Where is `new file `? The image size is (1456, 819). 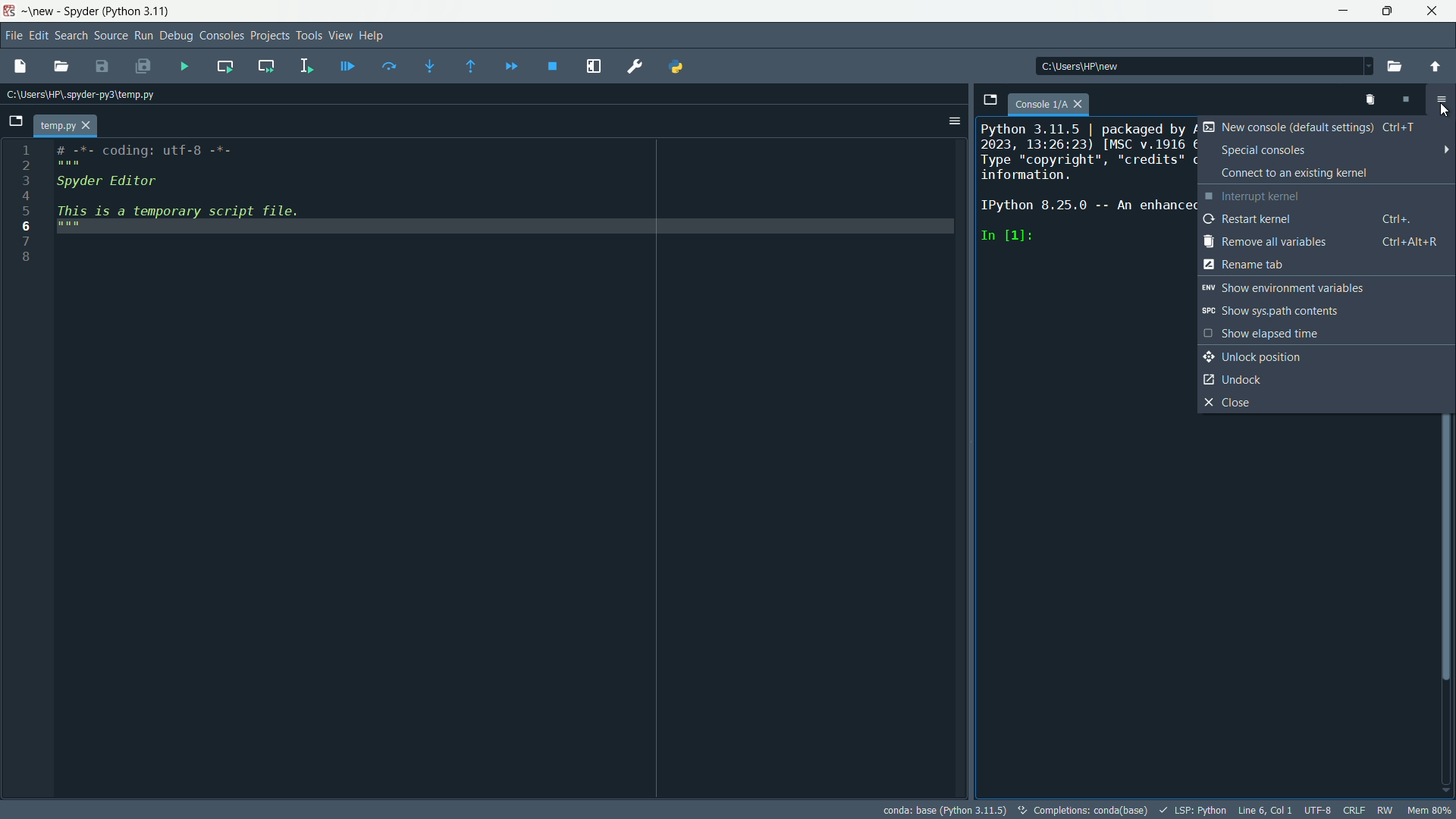 new file  is located at coordinates (17, 67).